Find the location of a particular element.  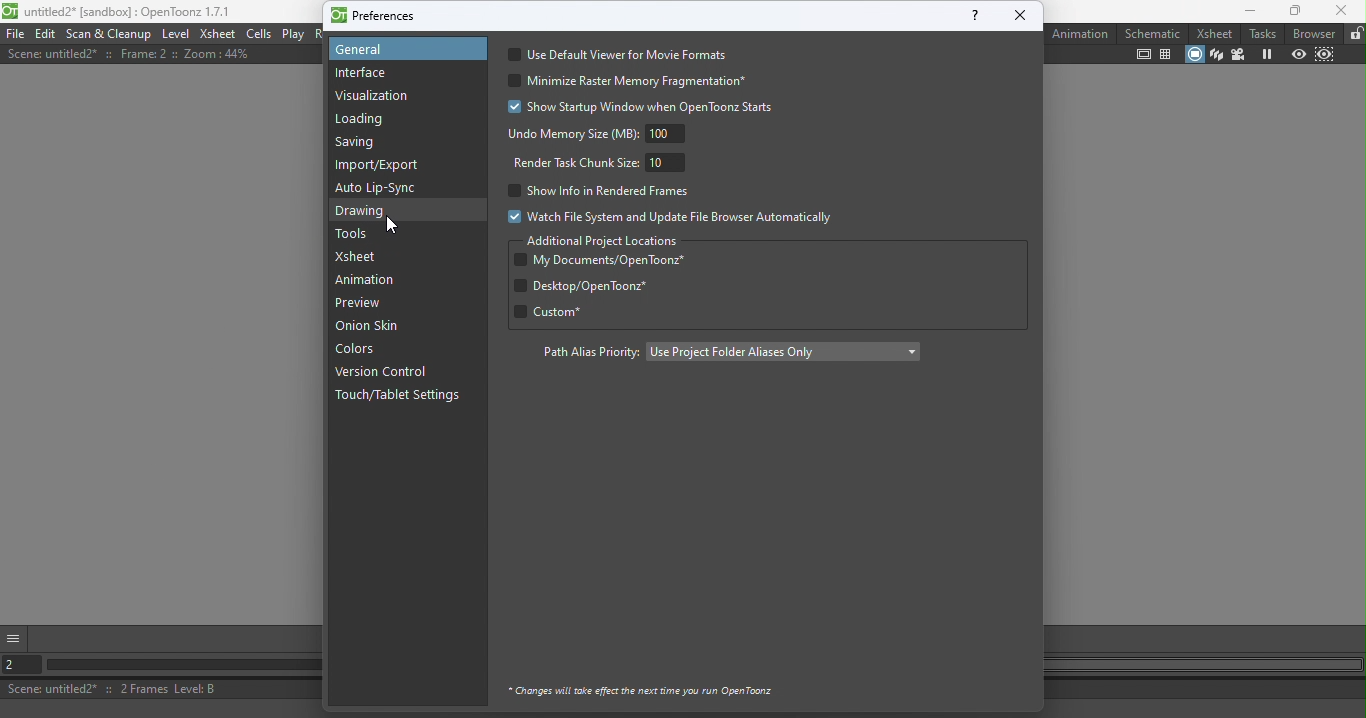

Play is located at coordinates (293, 34).